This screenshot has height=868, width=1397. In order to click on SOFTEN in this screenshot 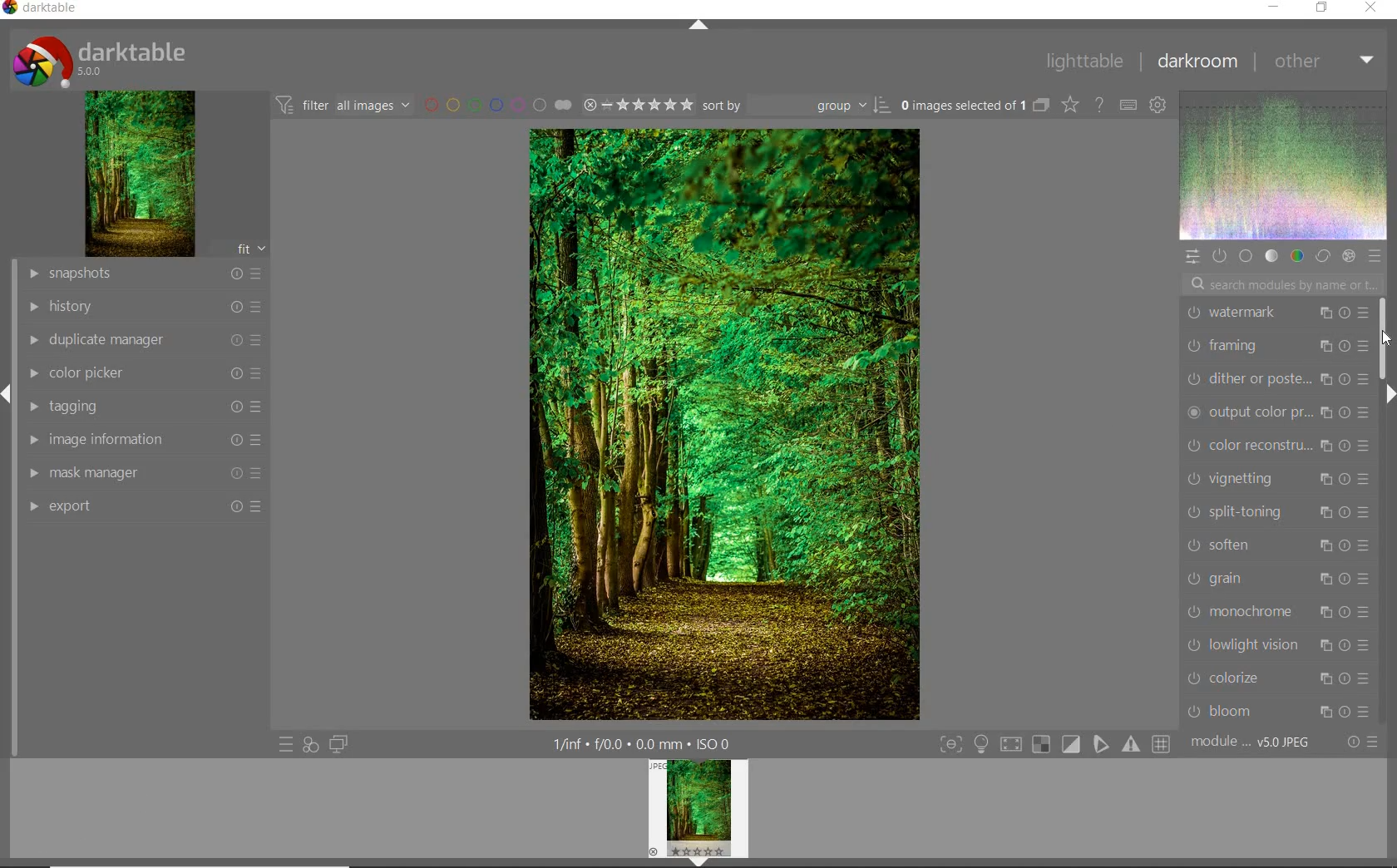, I will do `click(1278, 545)`.